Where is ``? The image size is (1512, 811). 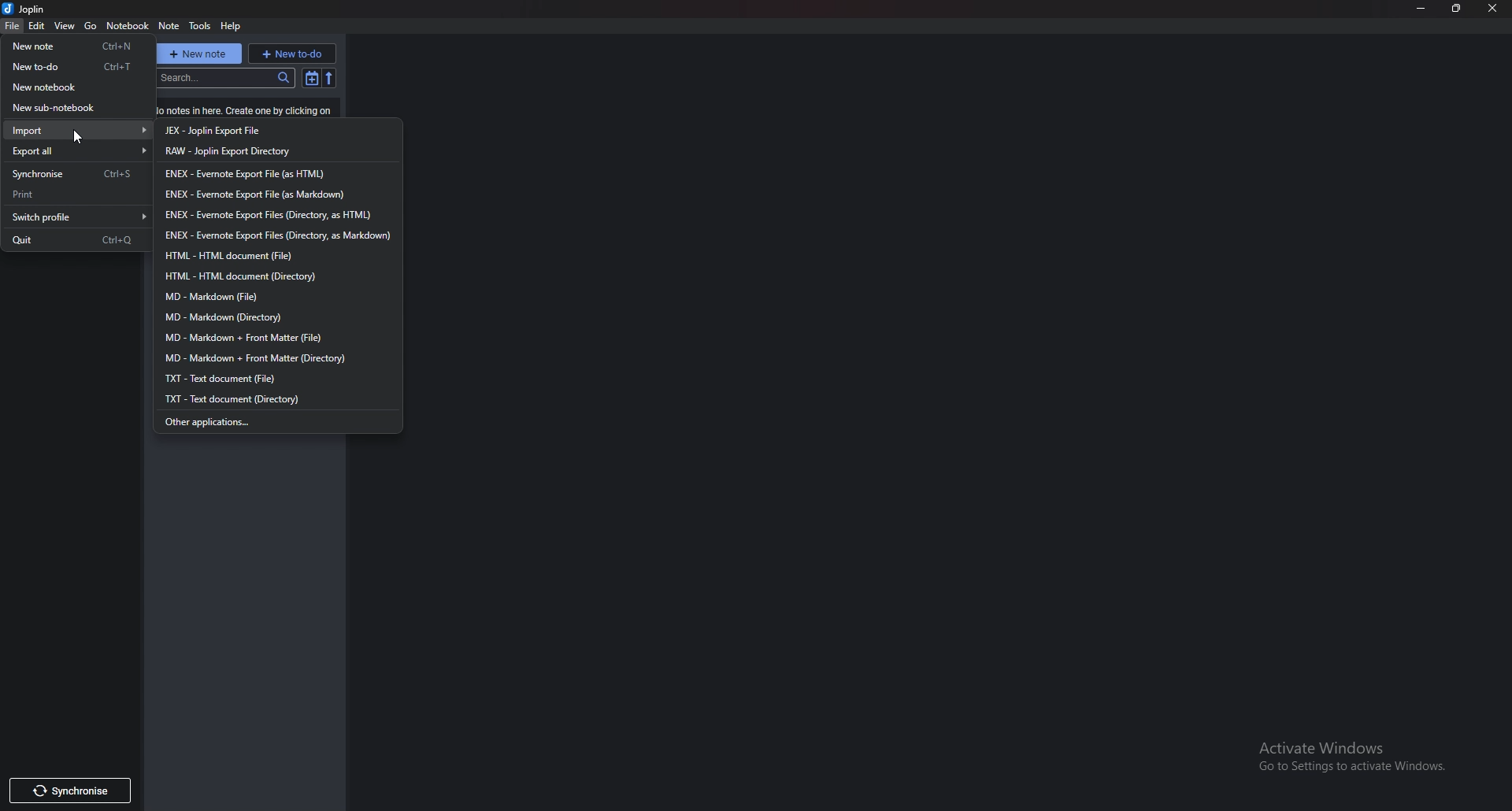  is located at coordinates (79, 790).